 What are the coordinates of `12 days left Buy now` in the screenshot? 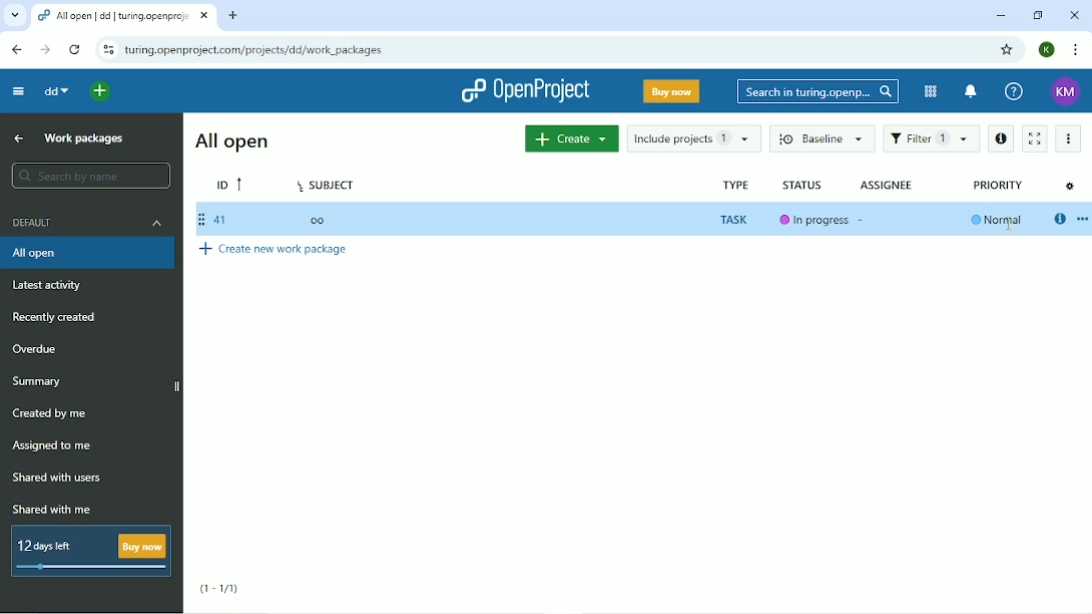 It's located at (88, 551).